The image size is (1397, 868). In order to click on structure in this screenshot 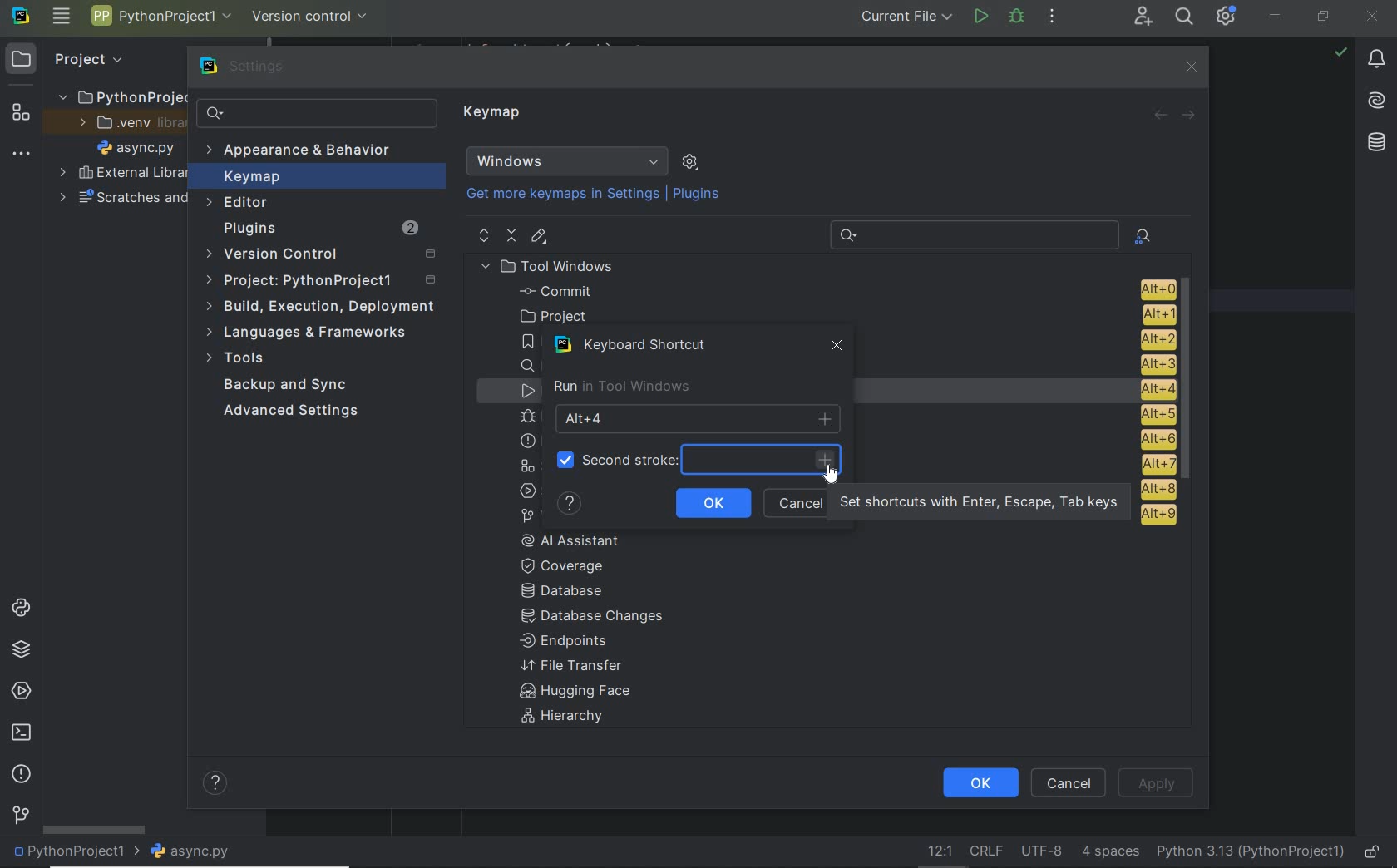, I will do `click(18, 111)`.